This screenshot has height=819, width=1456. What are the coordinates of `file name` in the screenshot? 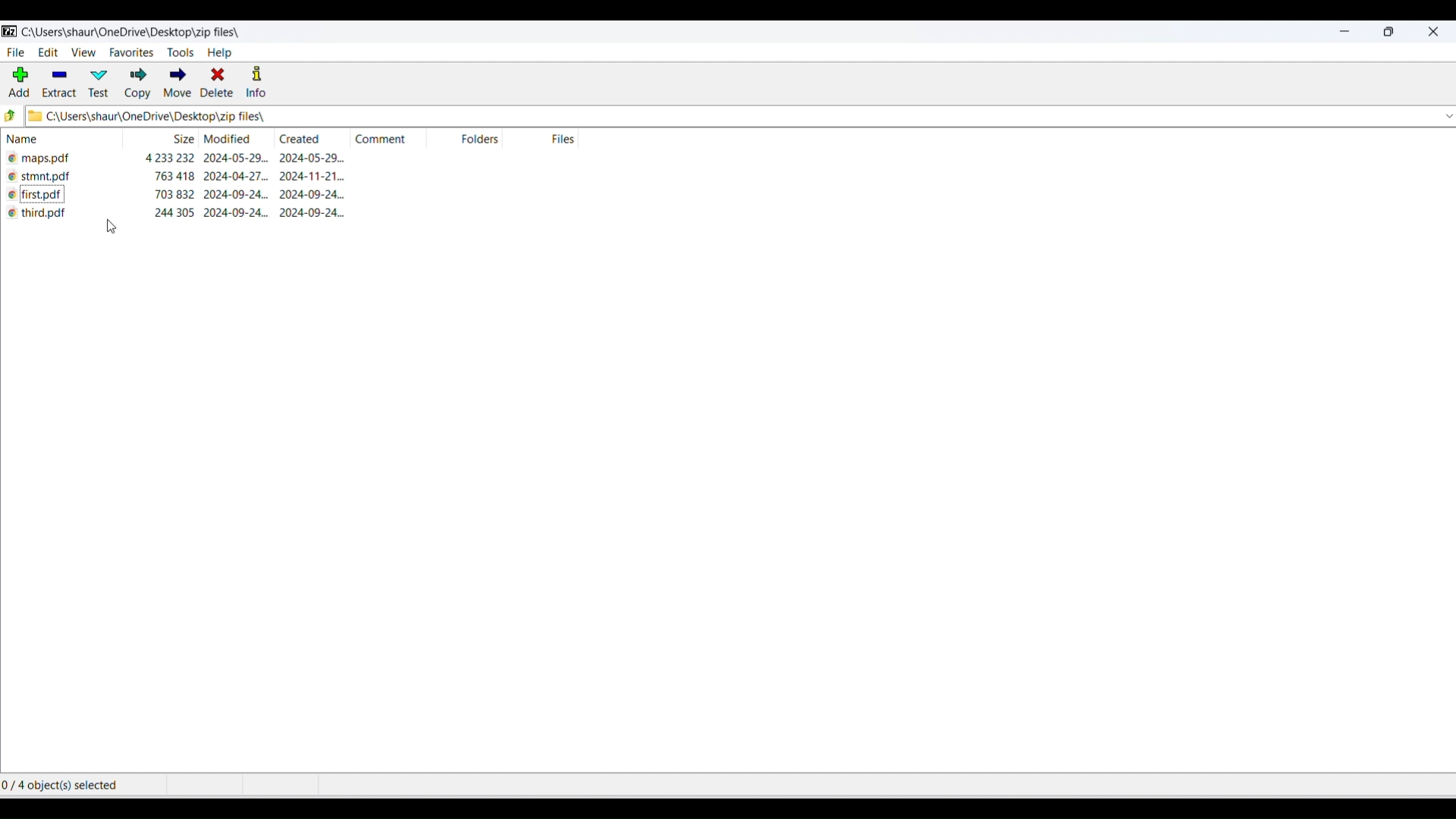 It's located at (43, 176).